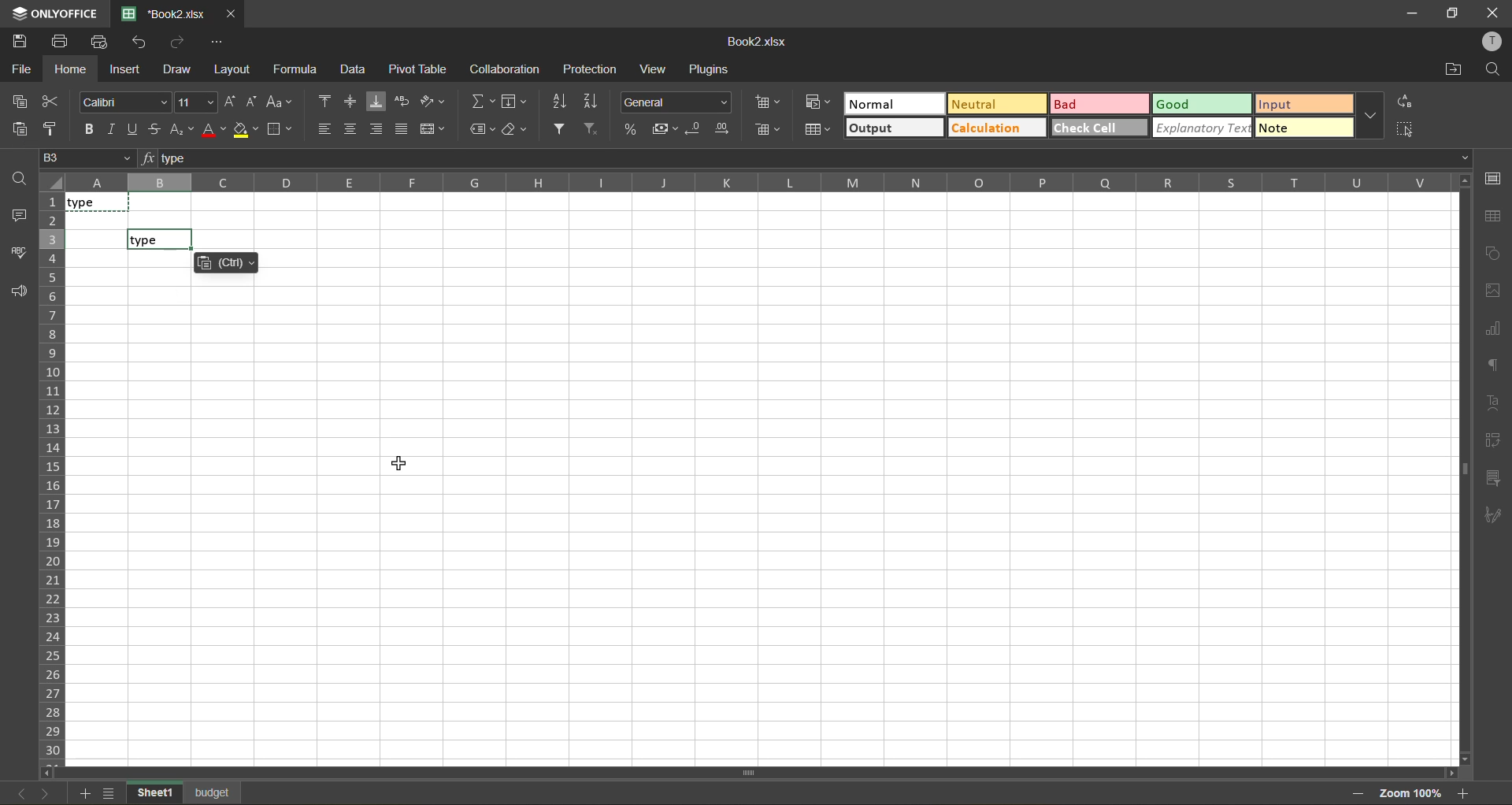 The height and width of the screenshot is (805, 1512). I want to click on home, so click(71, 69).